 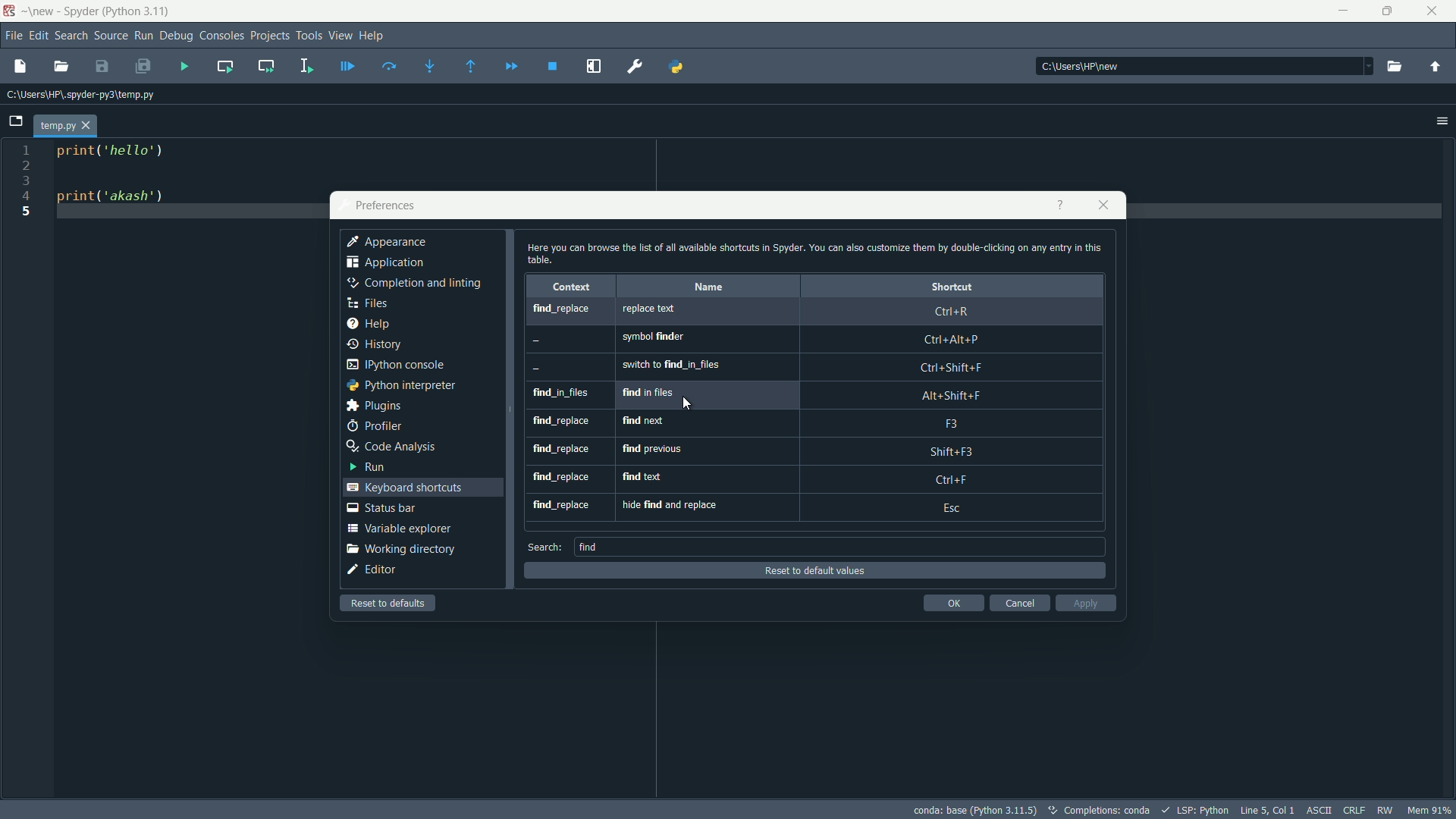 What do you see at coordinates (400, 548) in the screenshot?
I see `working directory` at bounding box center [400, 548].